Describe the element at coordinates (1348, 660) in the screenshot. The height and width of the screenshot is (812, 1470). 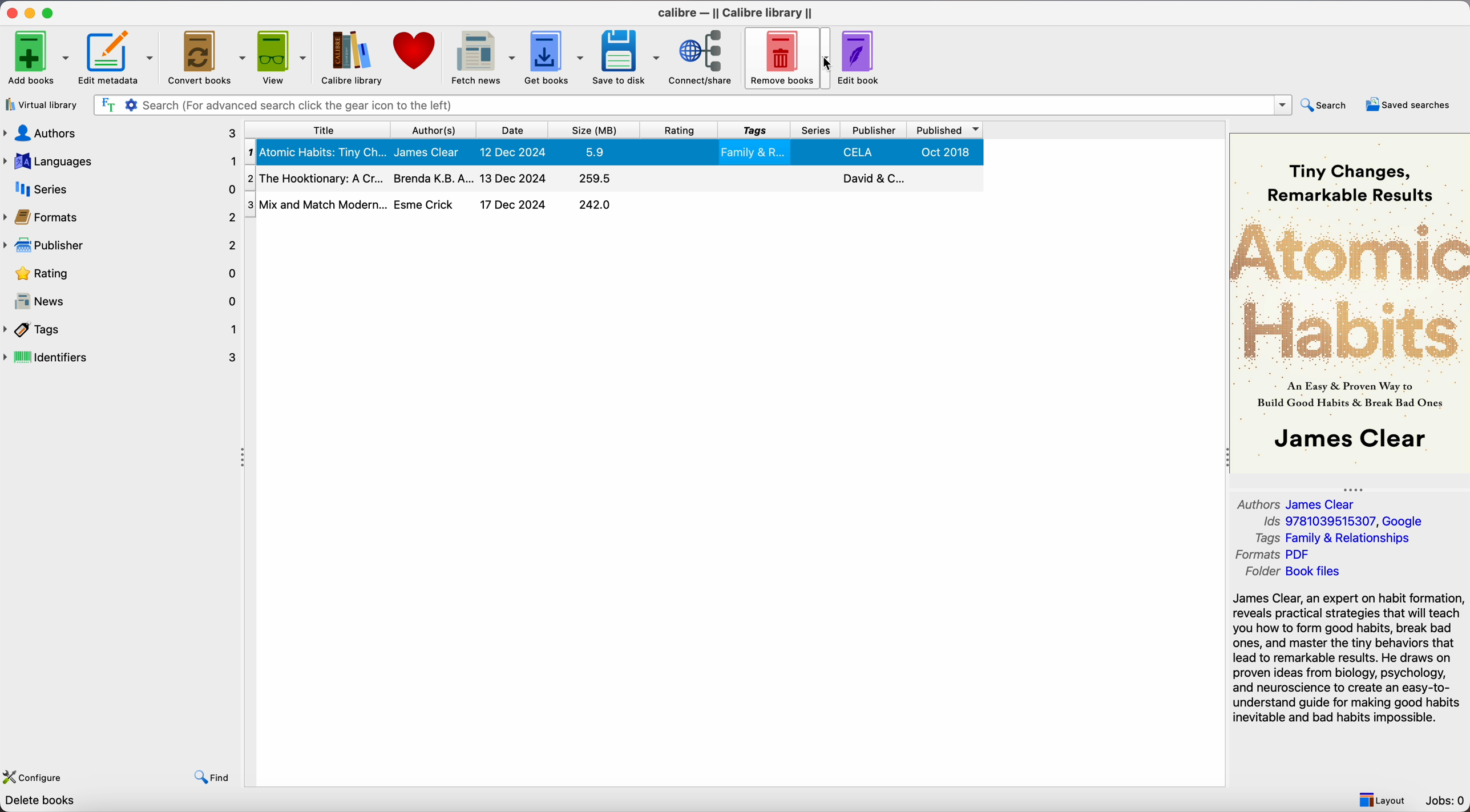
I see `synopsis` at that location.